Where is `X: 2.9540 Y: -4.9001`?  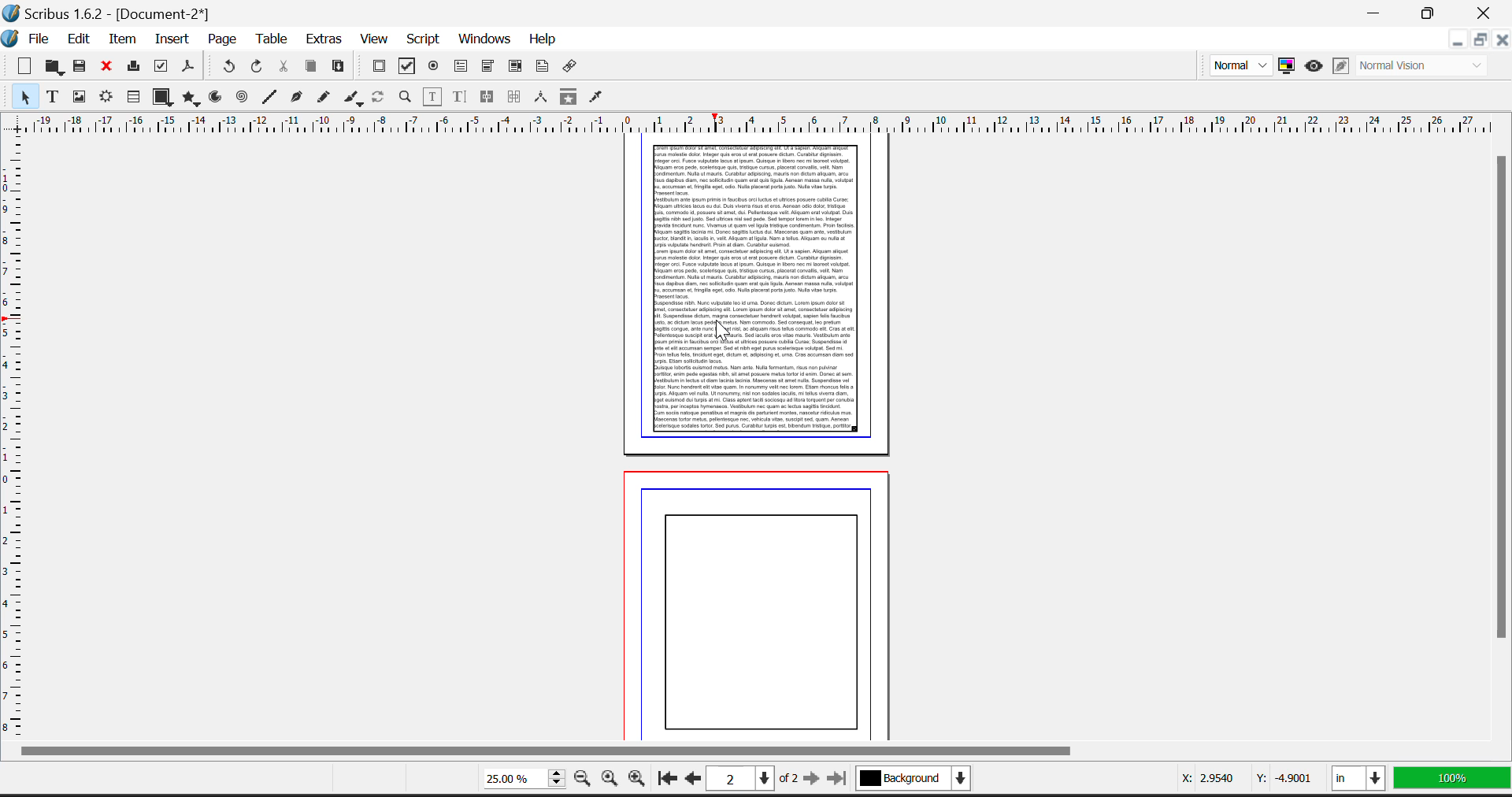
X: 2.9540 Y: -4.9001 is located at coordinates (1237, 778).